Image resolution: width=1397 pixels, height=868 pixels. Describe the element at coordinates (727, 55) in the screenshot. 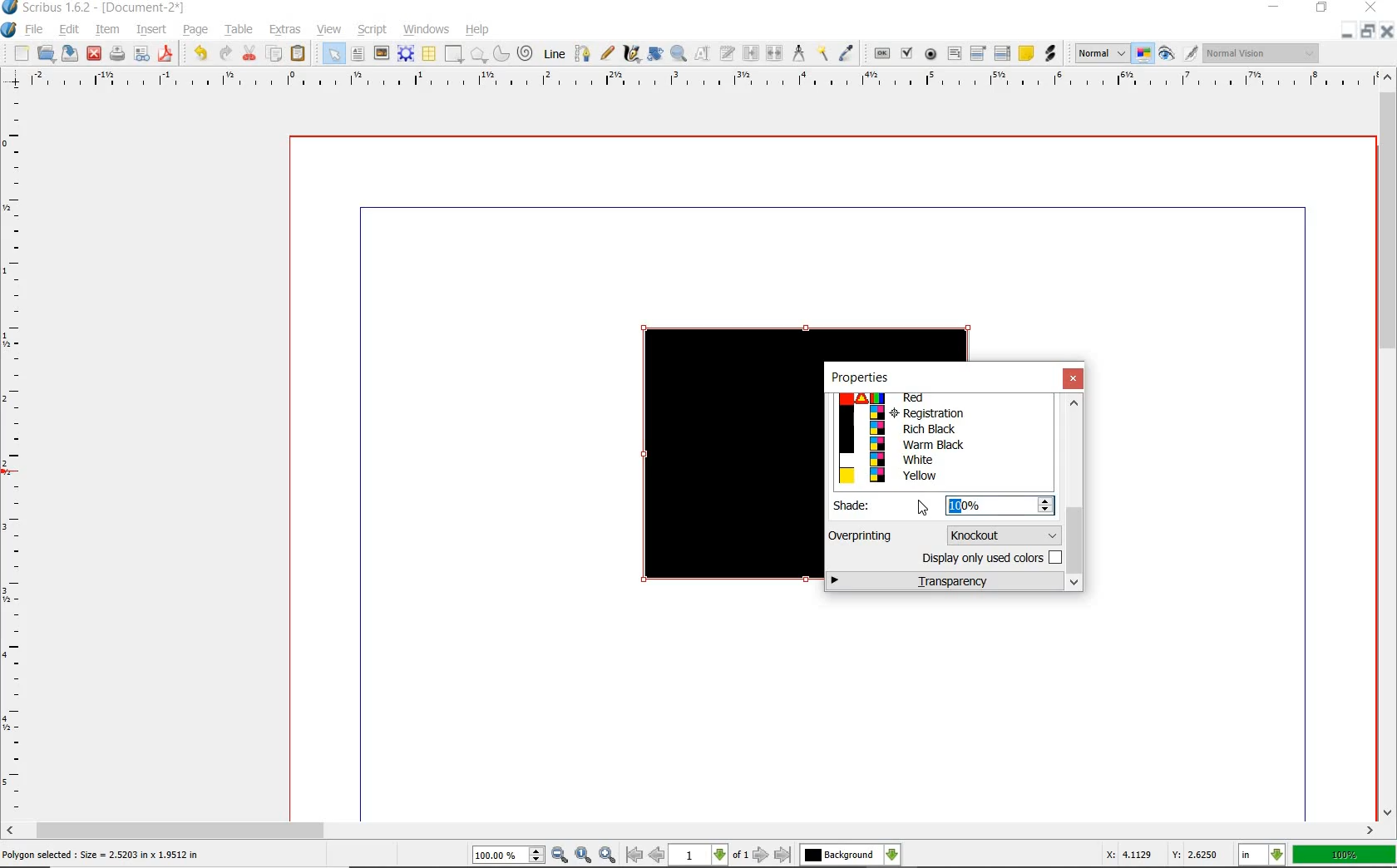

I see `edit text with story editor` at that location.